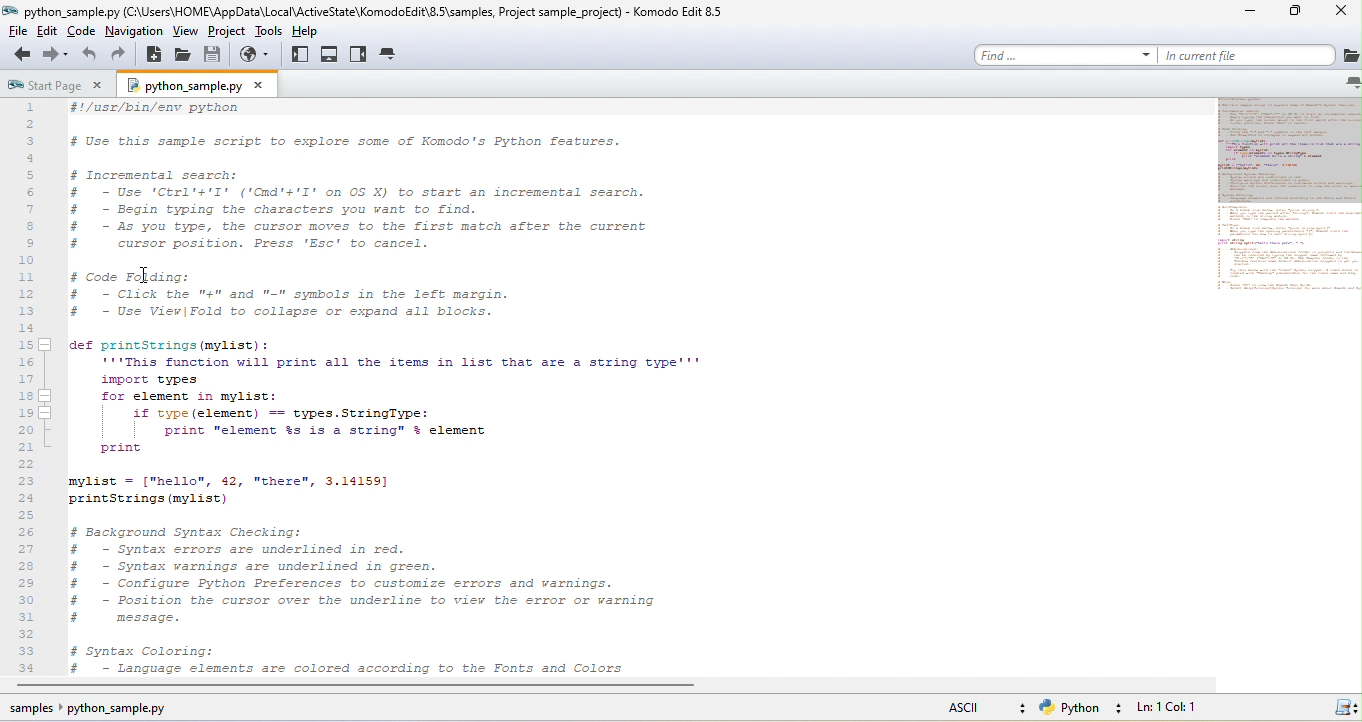  Describe the element at coordinates (90, 57) in the screenshot. I see `undo` at that location.